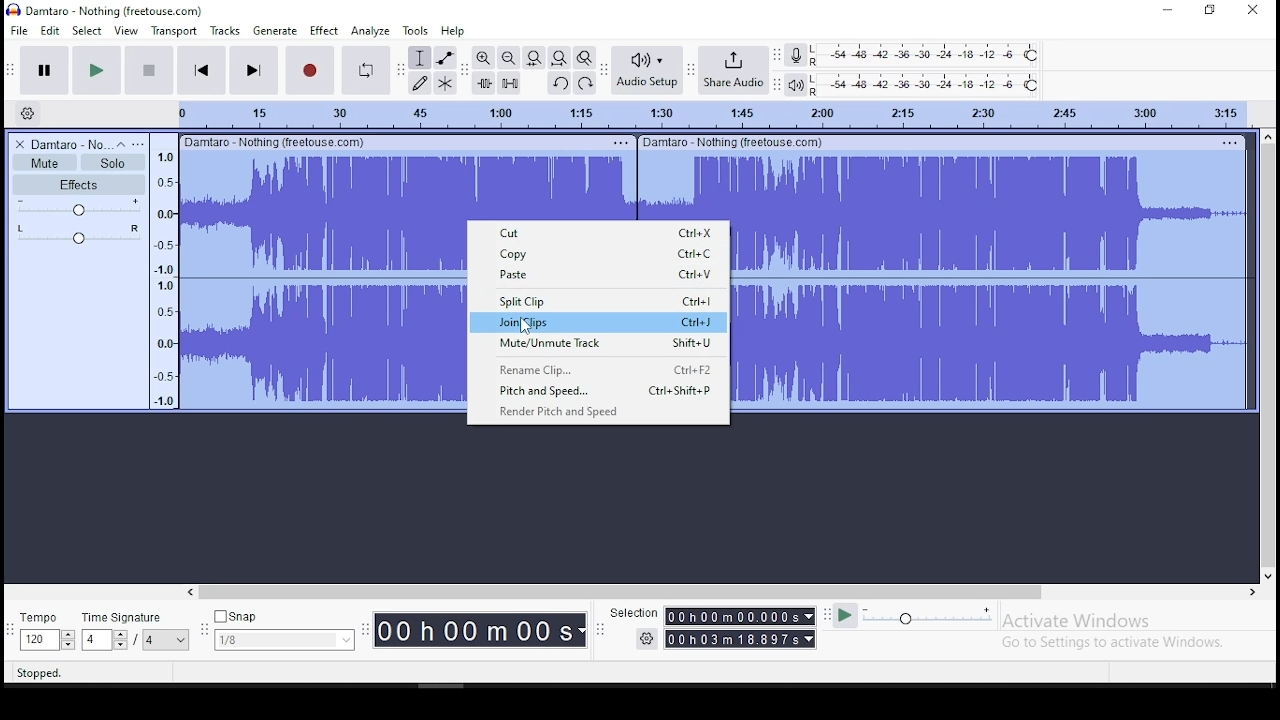  I want to click on pitch and speed ctrl+shift+P, so click(607, 392).